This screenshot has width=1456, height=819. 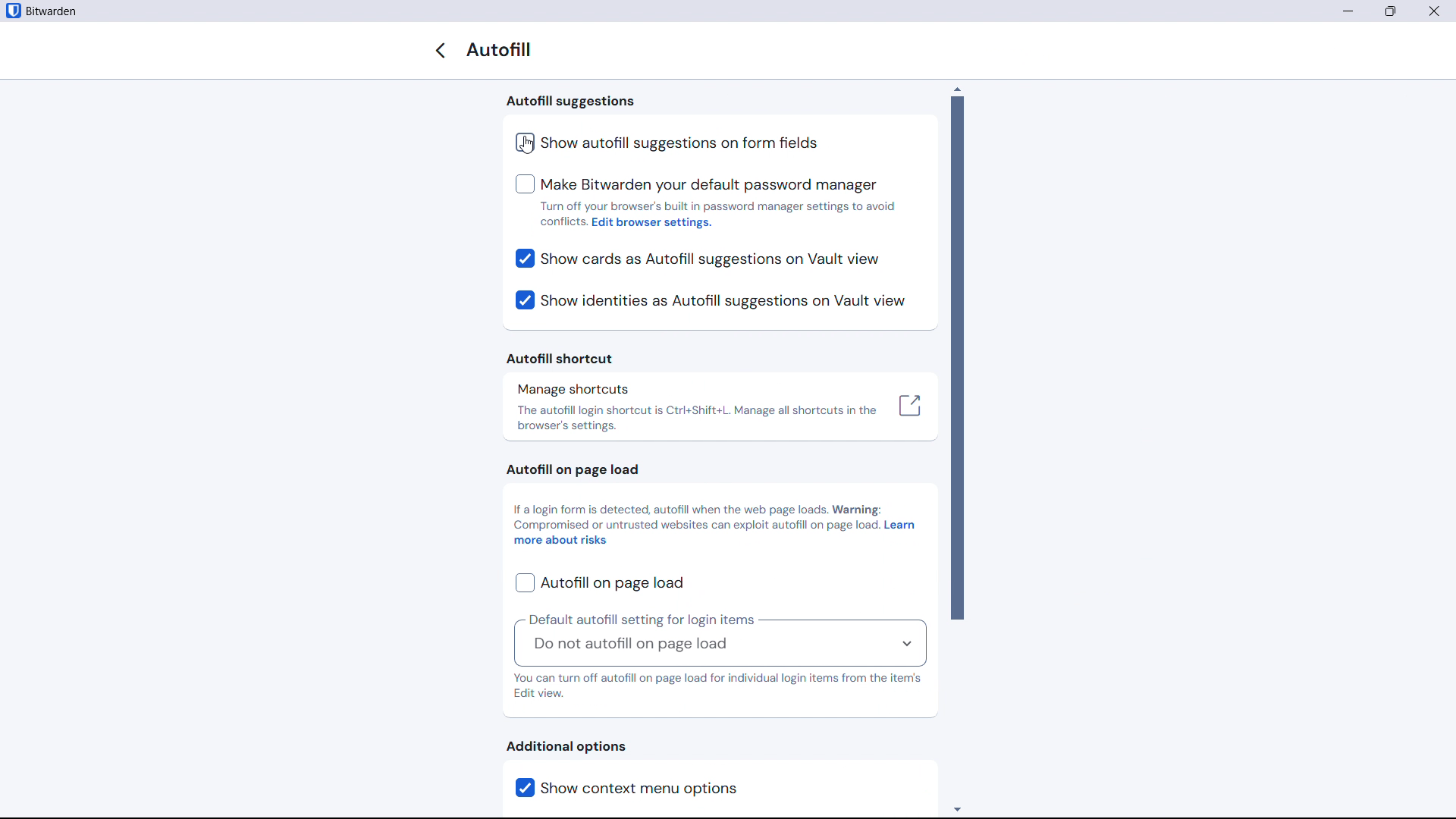 I want to click on show cards as auto field suggestions on vault view, so click(x=698, y=259).